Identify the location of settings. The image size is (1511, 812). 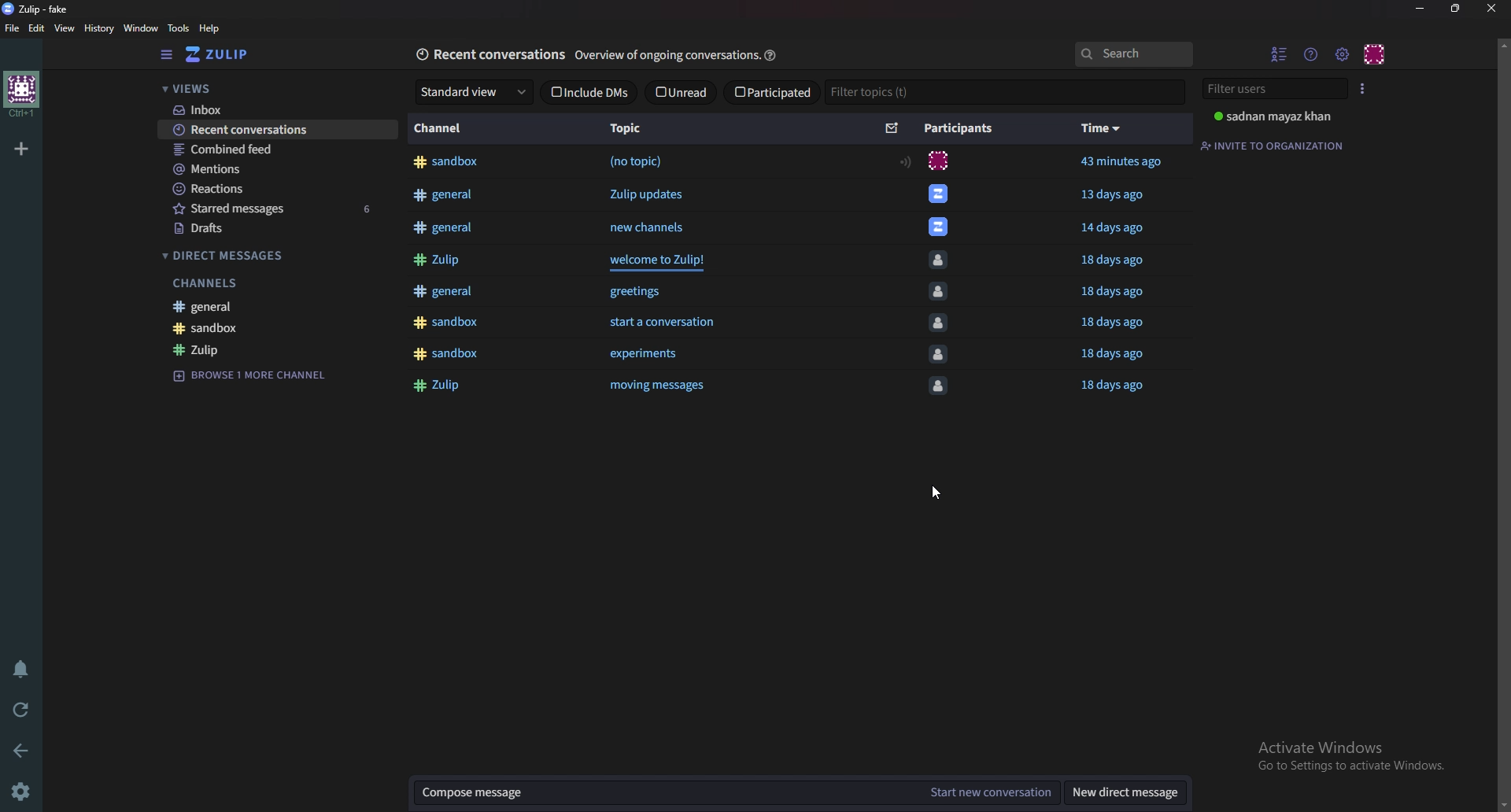
(19, 791).